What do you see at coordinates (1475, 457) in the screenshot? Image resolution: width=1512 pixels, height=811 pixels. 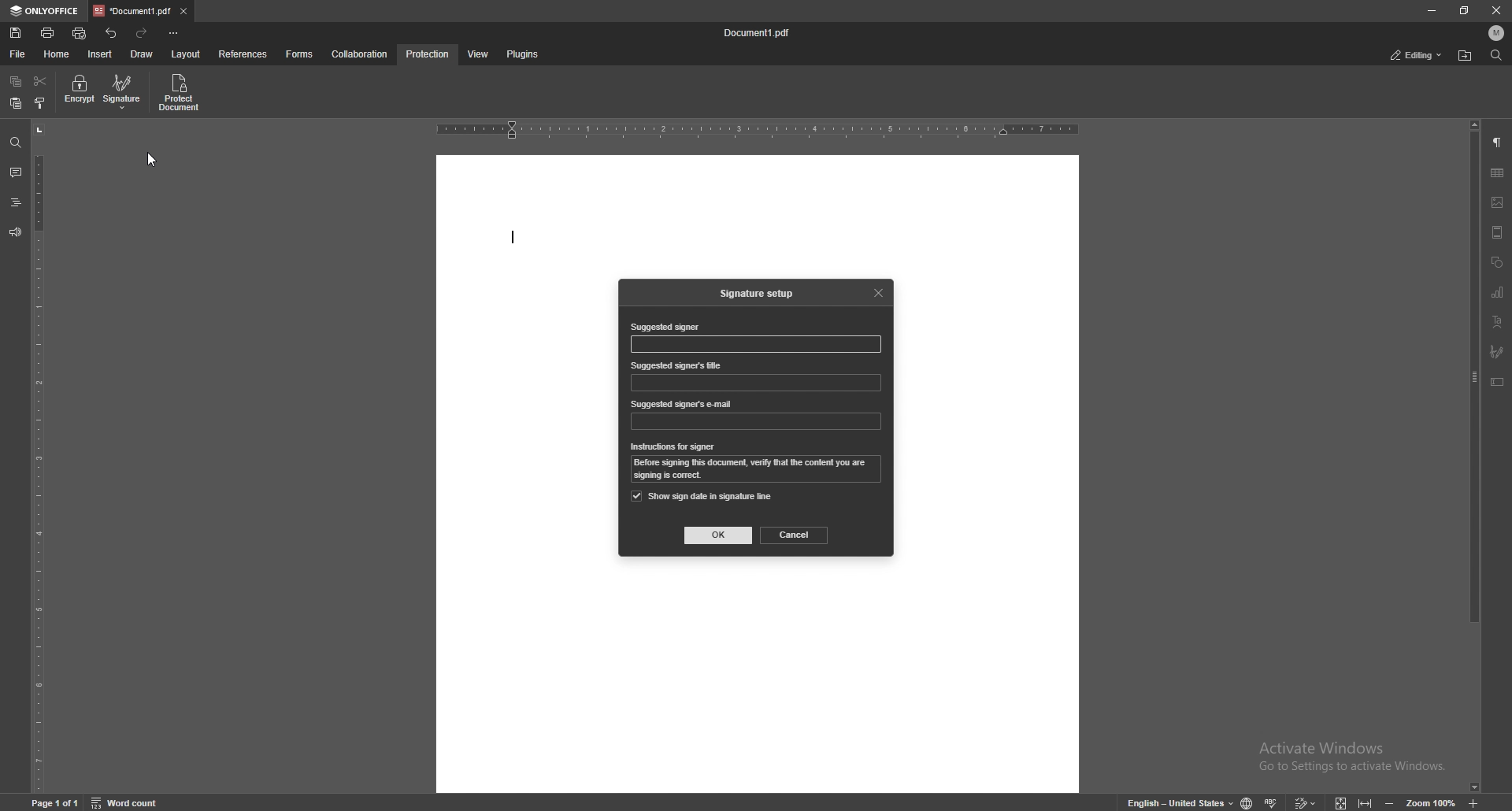 I see `scroll bar` at bounding box center [1475, 457].